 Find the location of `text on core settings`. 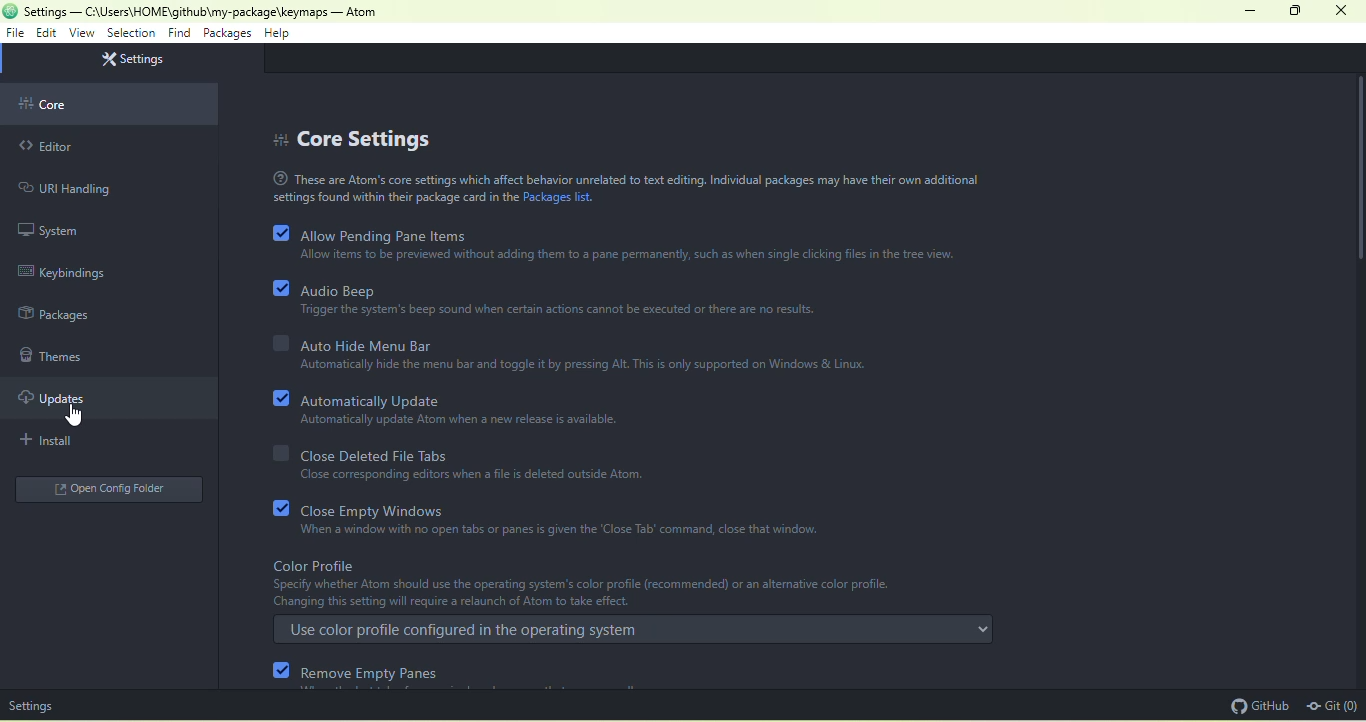

text on core settings is located at coordinates (633, 179).